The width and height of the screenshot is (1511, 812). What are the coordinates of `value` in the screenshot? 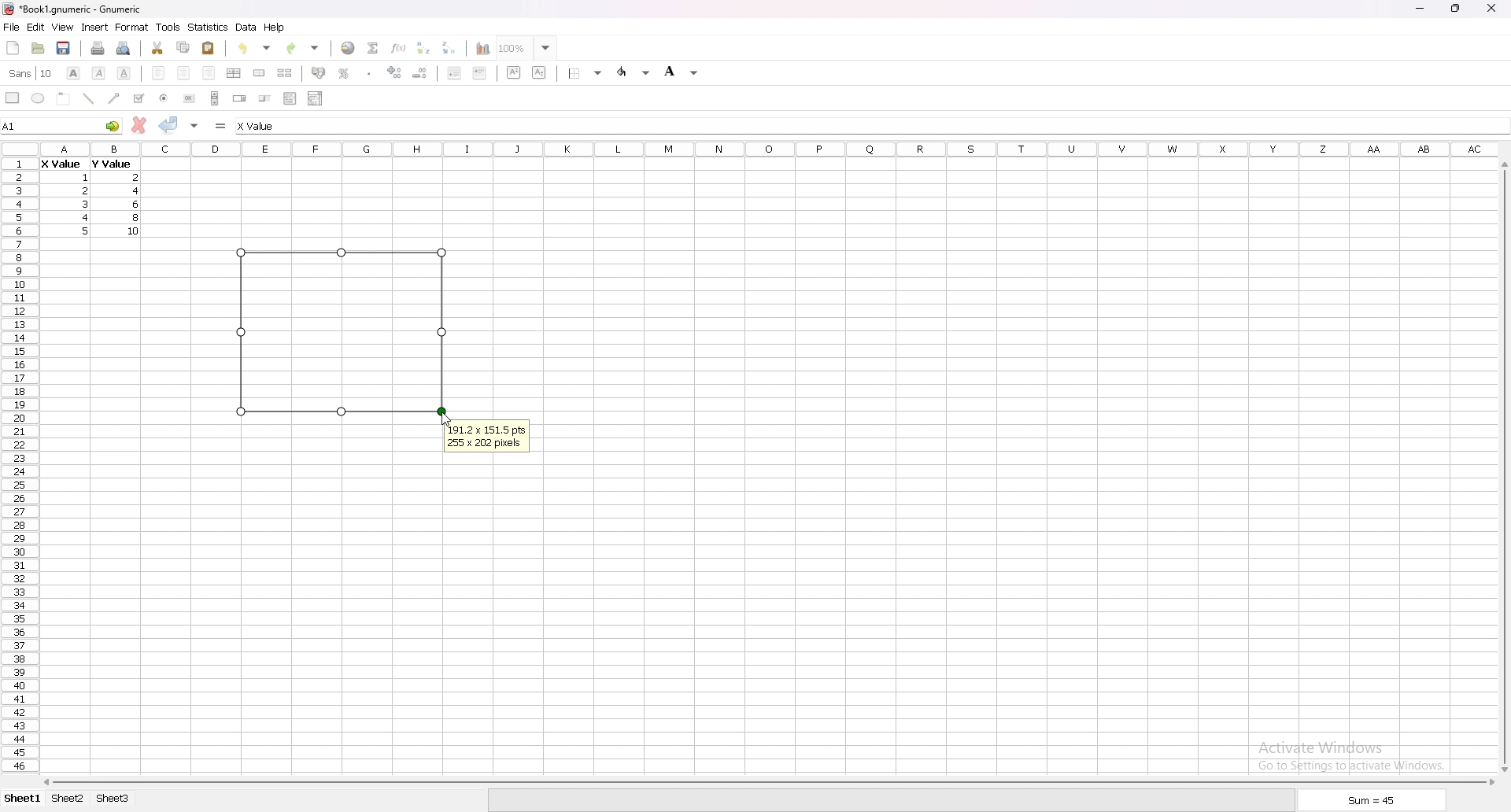 It's located at (87, 231).